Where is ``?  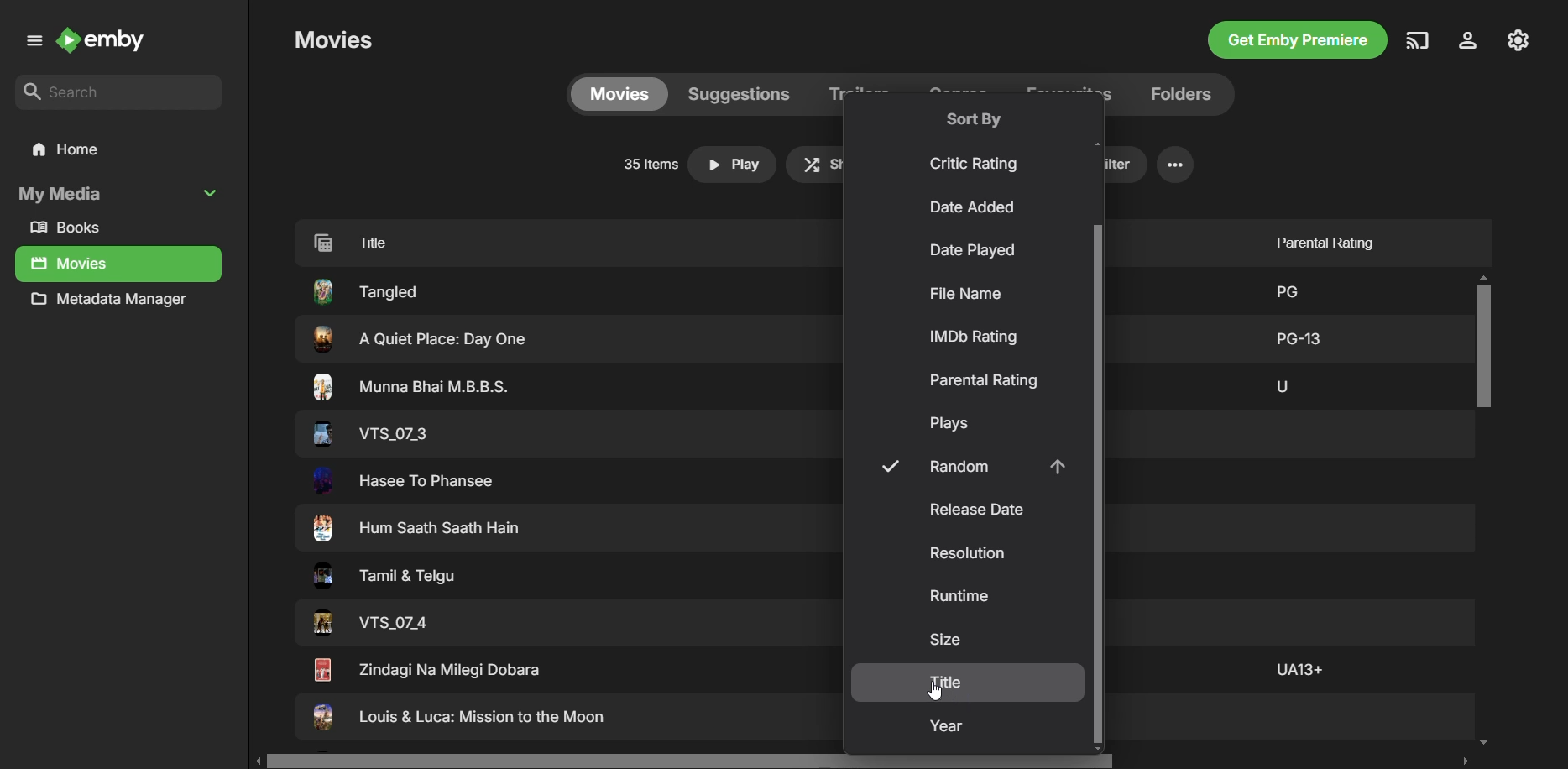  is located at coordinates (1283, 288).